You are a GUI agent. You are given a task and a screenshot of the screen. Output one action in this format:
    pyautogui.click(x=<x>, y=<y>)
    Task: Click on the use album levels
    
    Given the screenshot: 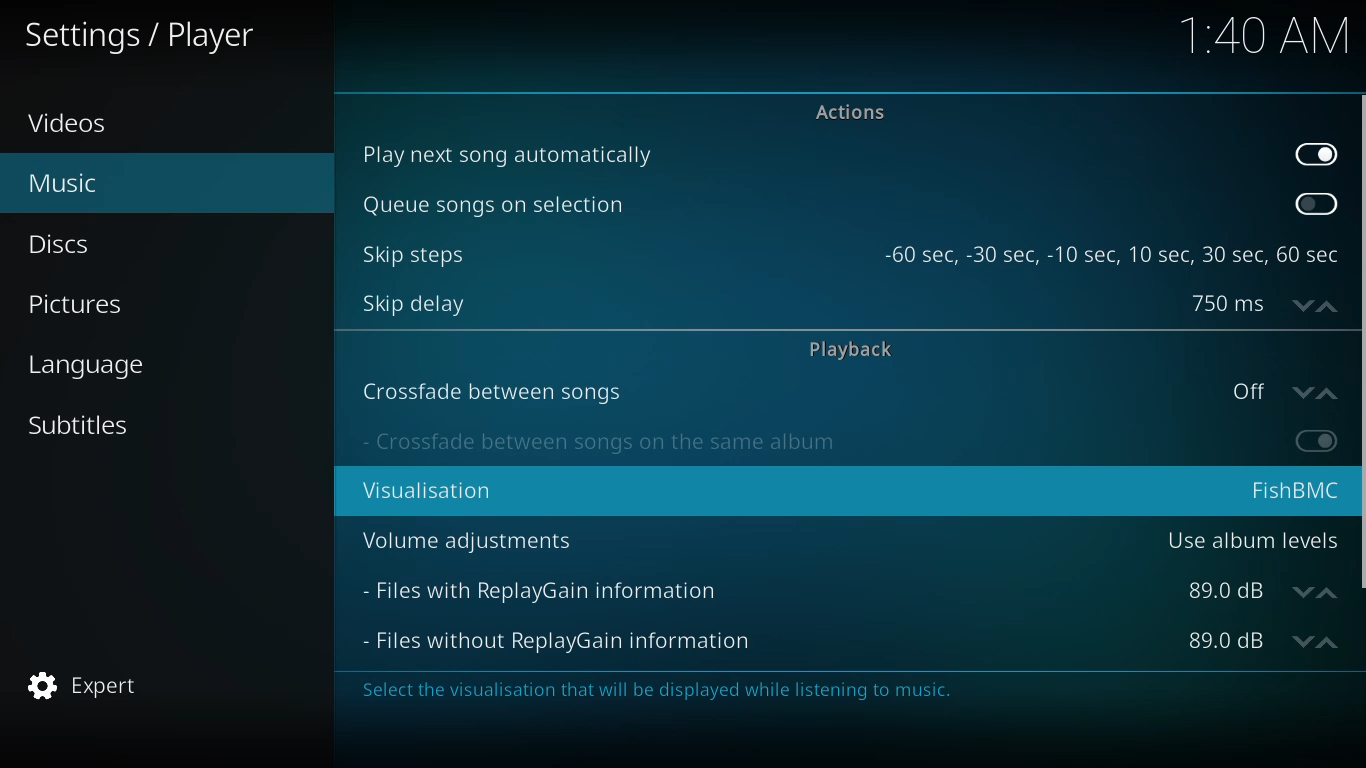 What is the action you would take?
    pyautogui.click(x=1251, y=543)
    